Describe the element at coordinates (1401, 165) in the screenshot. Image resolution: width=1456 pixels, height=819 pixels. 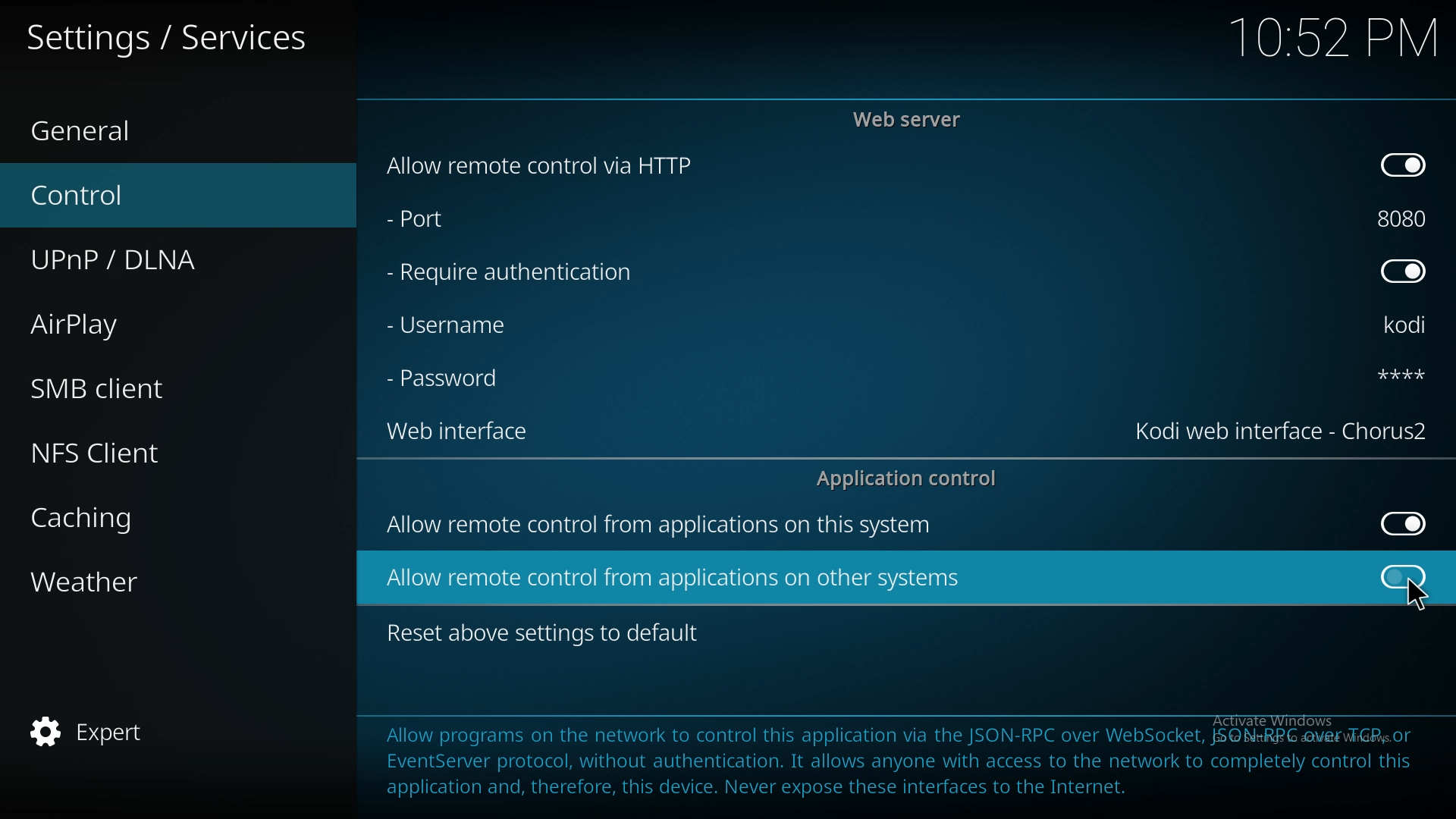
I see `toggle` at that location.